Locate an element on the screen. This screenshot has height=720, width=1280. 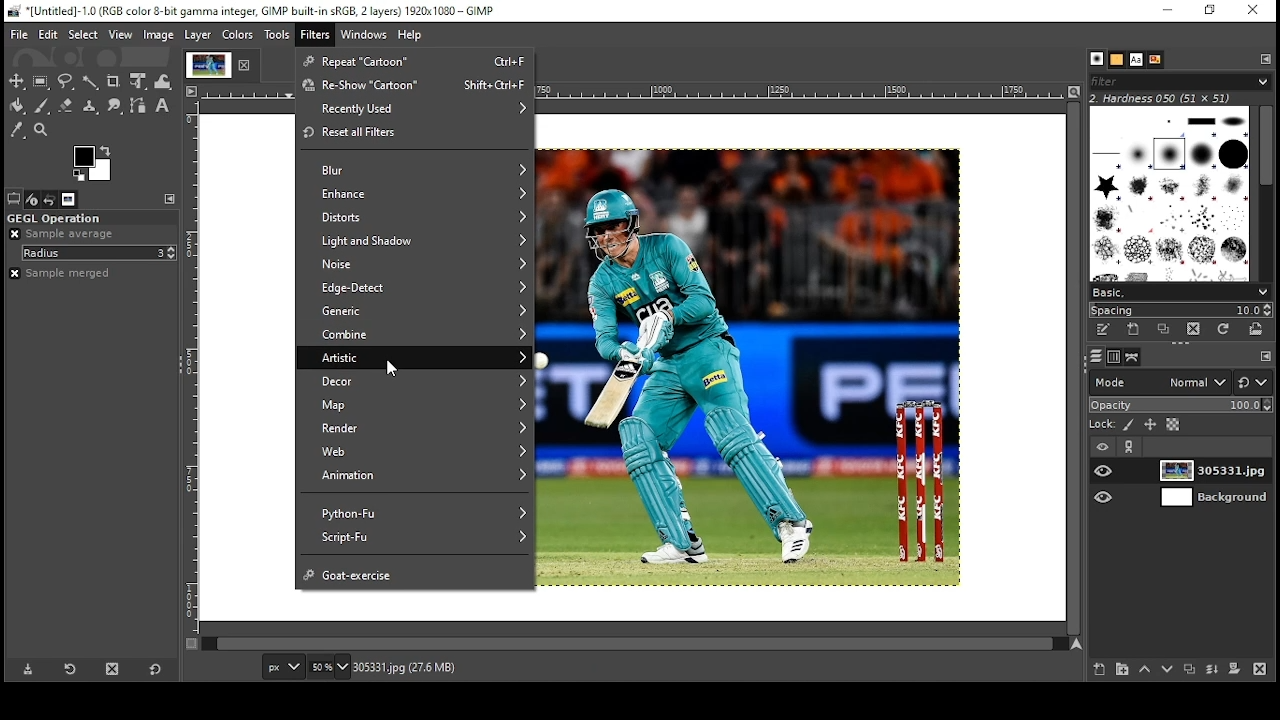
paths tool is located at coordinates (139, 105).